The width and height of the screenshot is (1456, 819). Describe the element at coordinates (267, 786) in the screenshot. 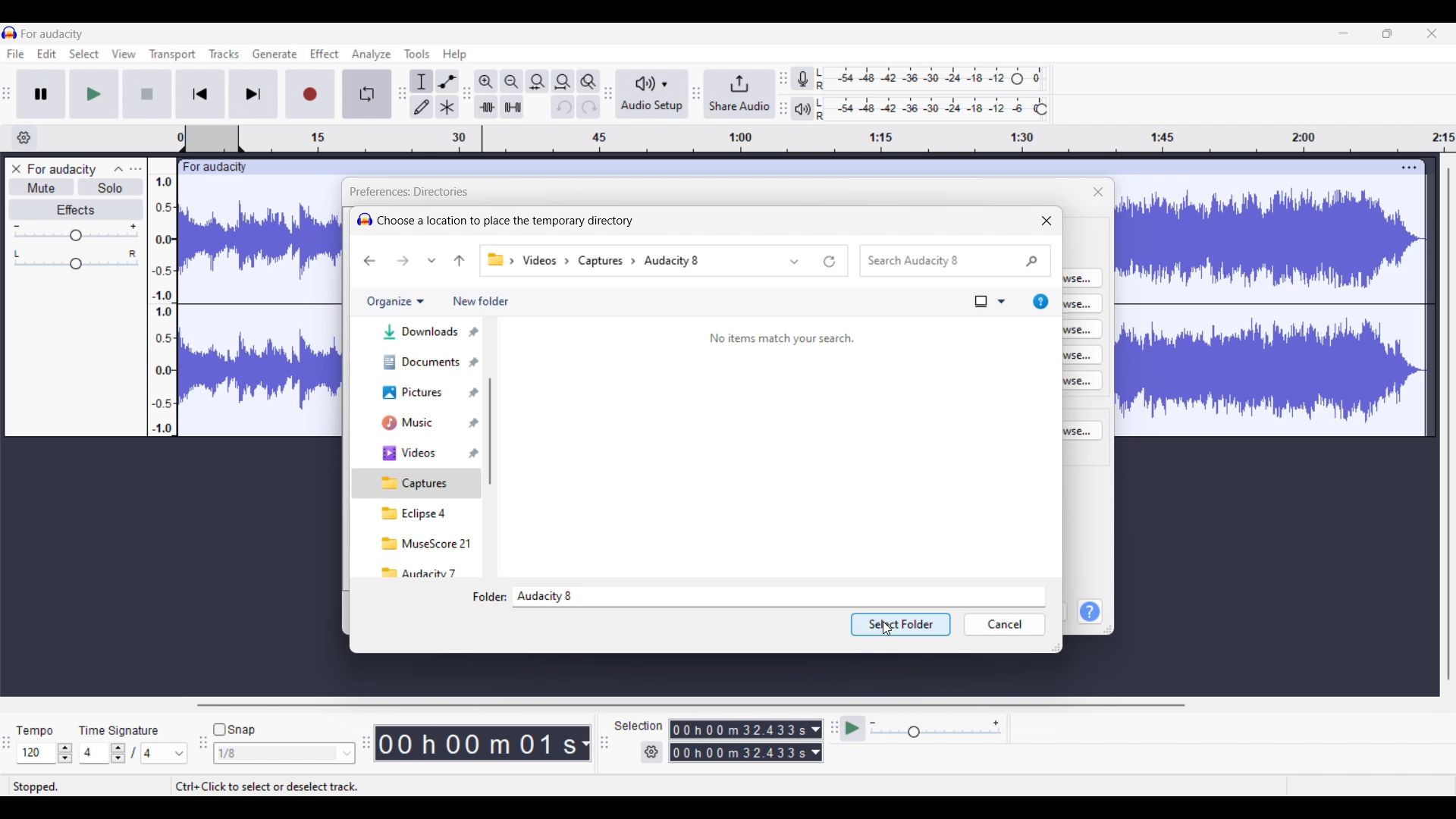

I see `Shortcut to select/deselect track` at that location.